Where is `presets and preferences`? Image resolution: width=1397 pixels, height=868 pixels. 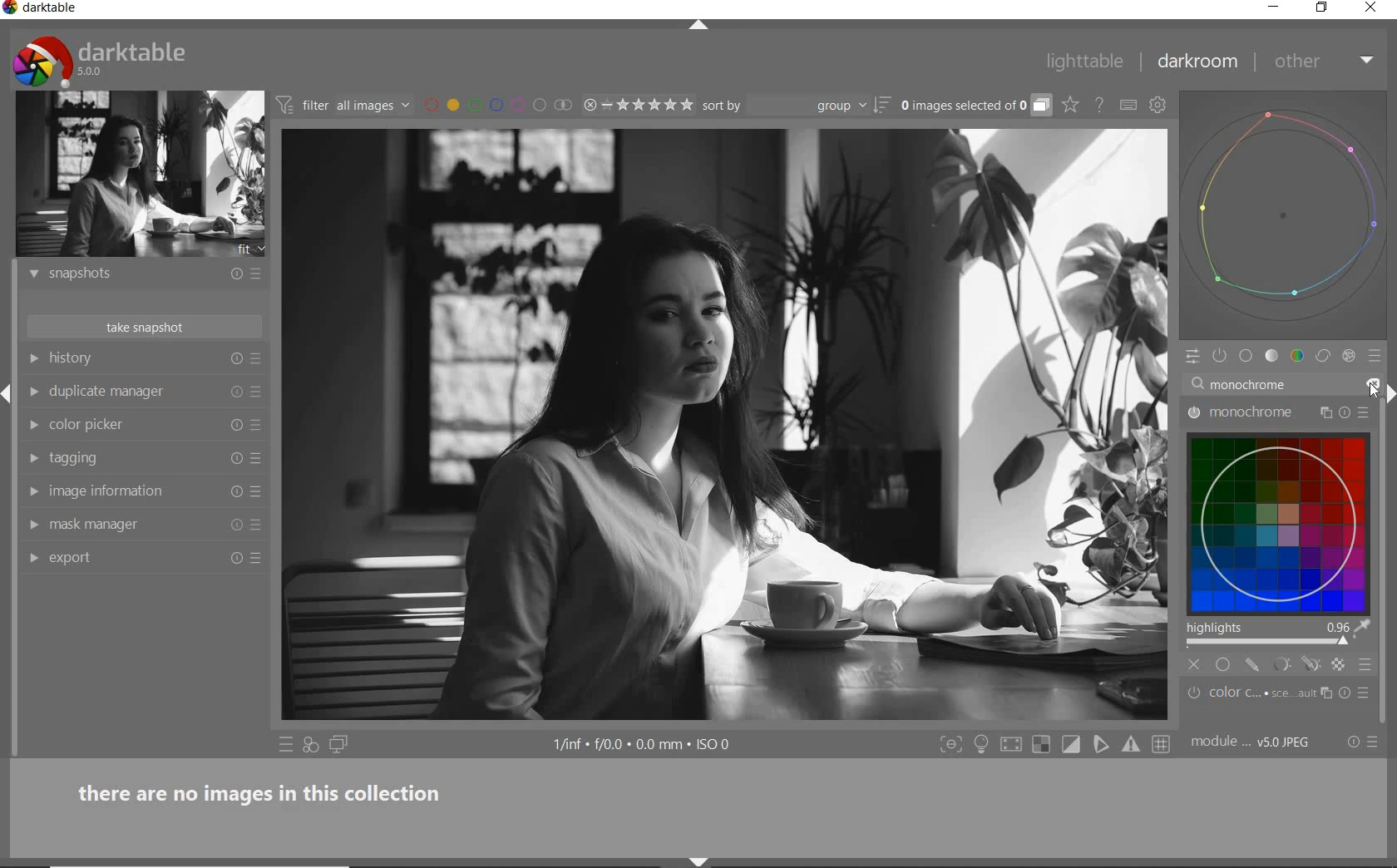
presets and preferences is located at coordinates (255, 359).